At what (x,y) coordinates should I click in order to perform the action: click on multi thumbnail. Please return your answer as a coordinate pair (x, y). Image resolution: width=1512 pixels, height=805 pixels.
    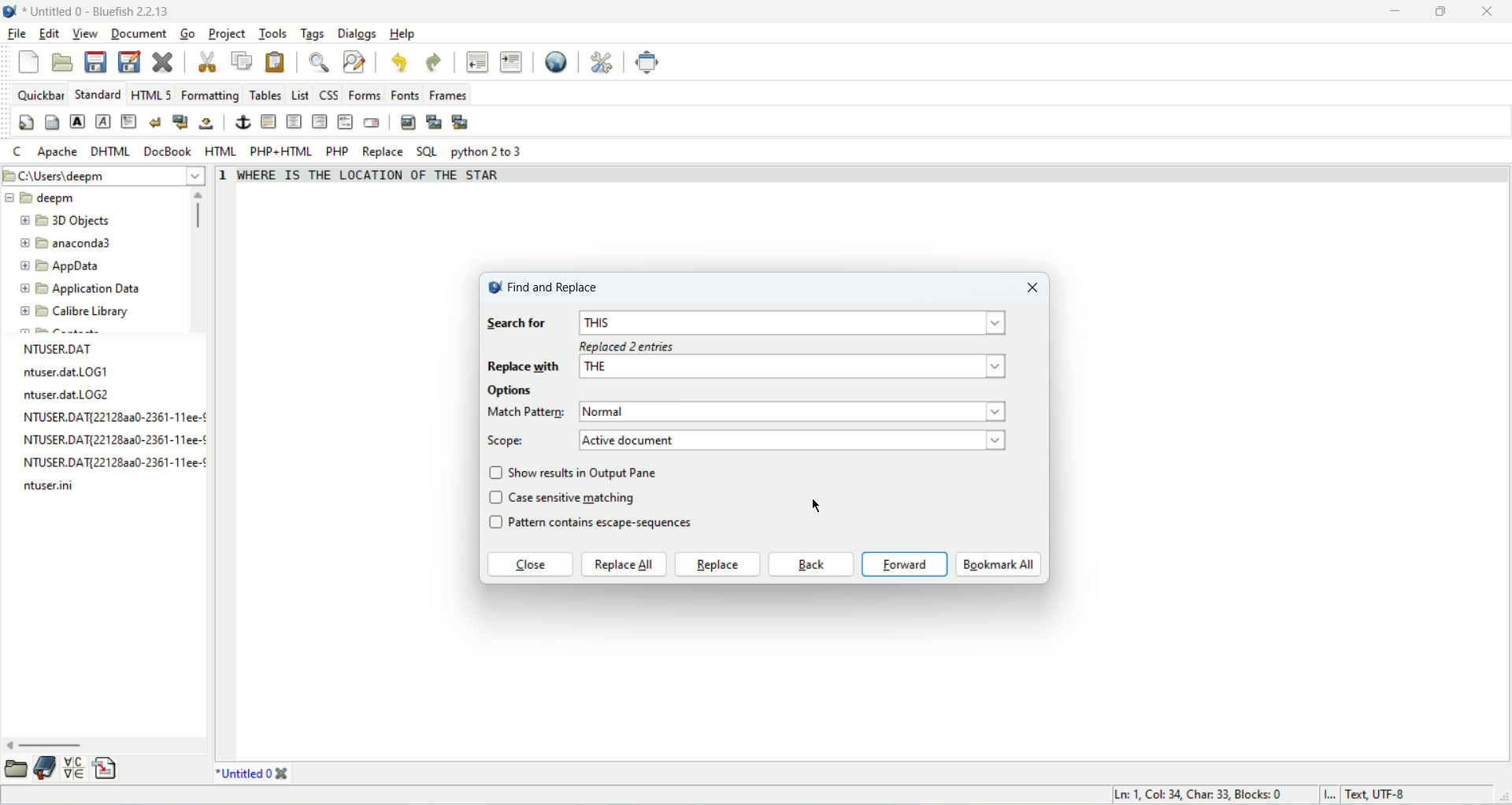
    Looking at the image, I should click on (461, 122).